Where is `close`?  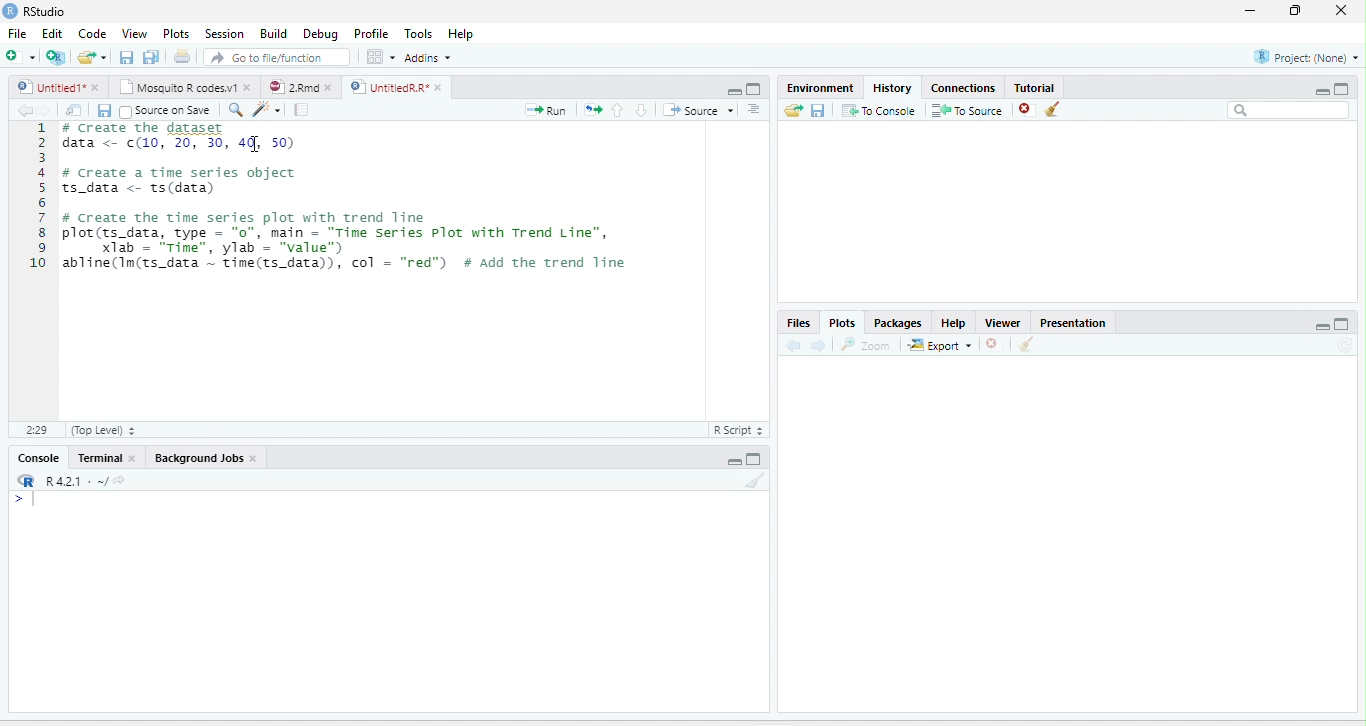 close is located at coordinates (248, 87).